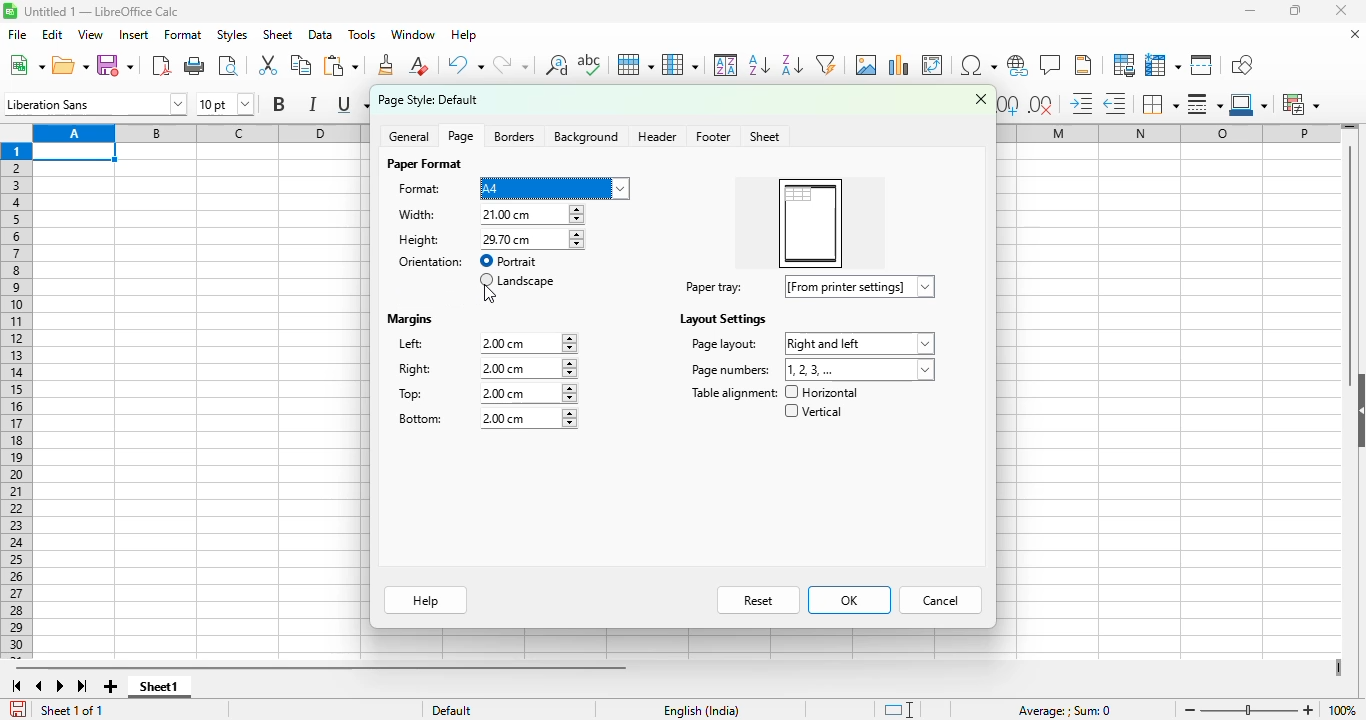  I want to click on [from printer settings], so click(861, 286).